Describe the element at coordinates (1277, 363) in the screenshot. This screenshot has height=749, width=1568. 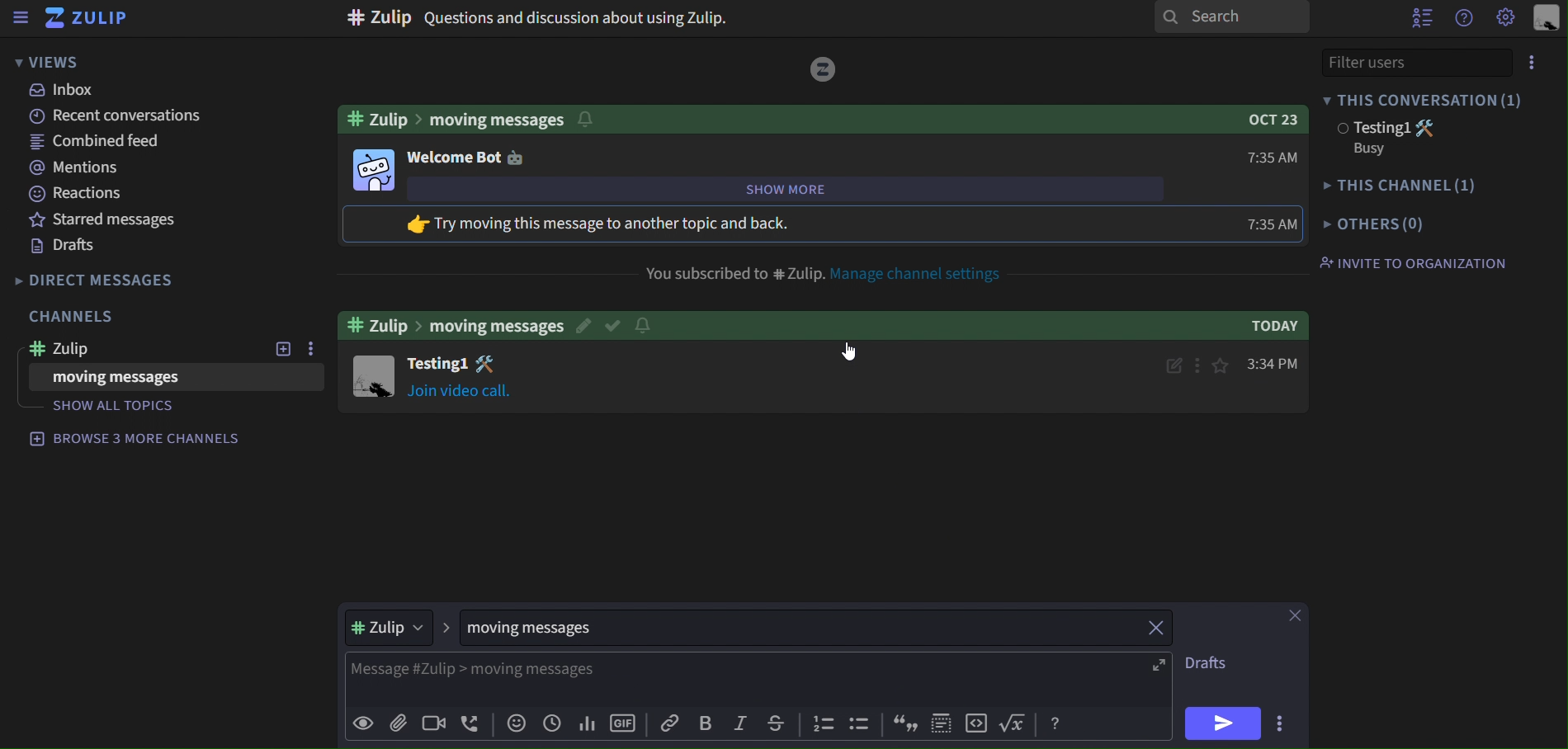
I see `3:34 PM` at that location.